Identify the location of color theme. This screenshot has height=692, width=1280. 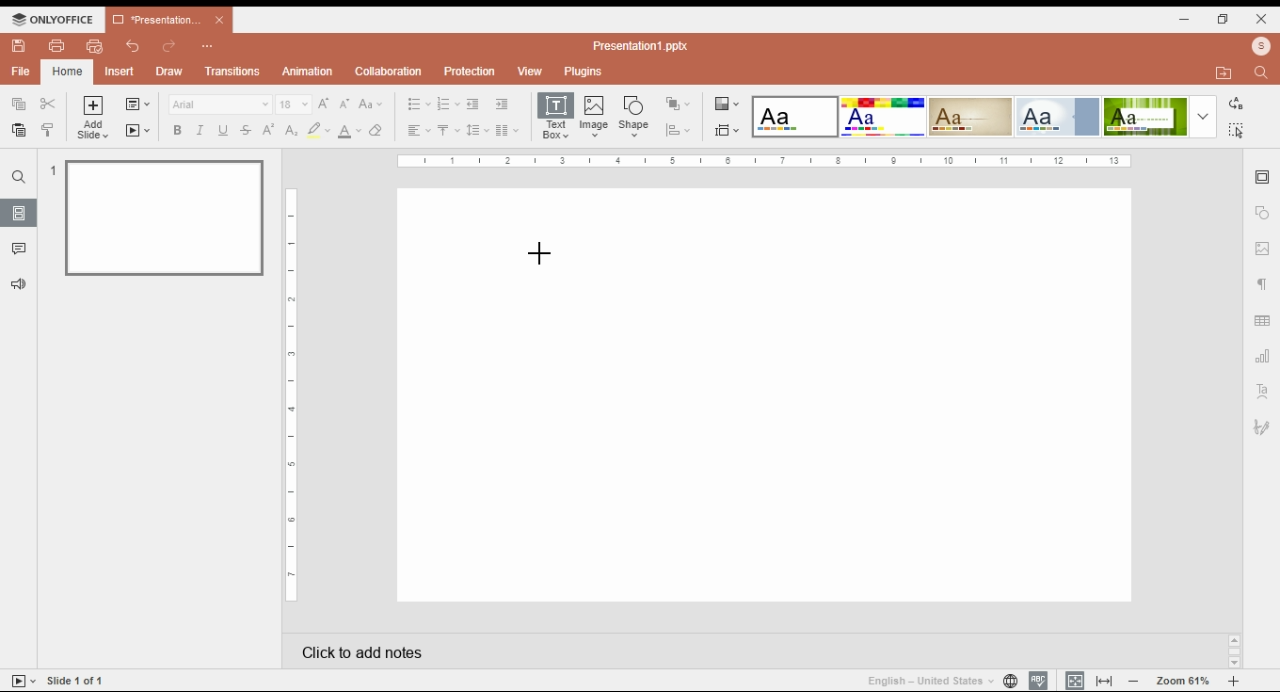
(795, 117).